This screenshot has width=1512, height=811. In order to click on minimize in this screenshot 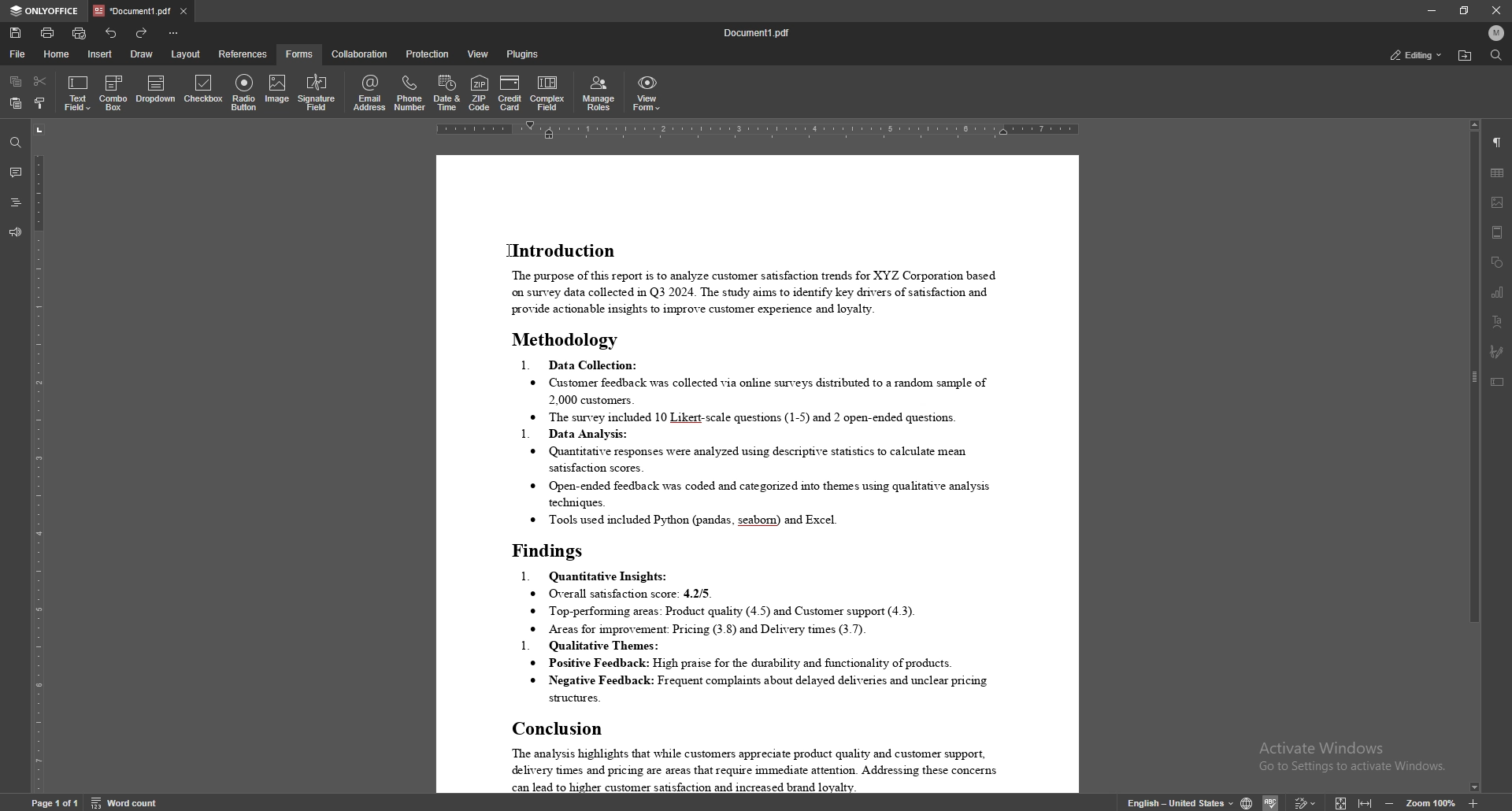, I will do `click(1432, 10)`.